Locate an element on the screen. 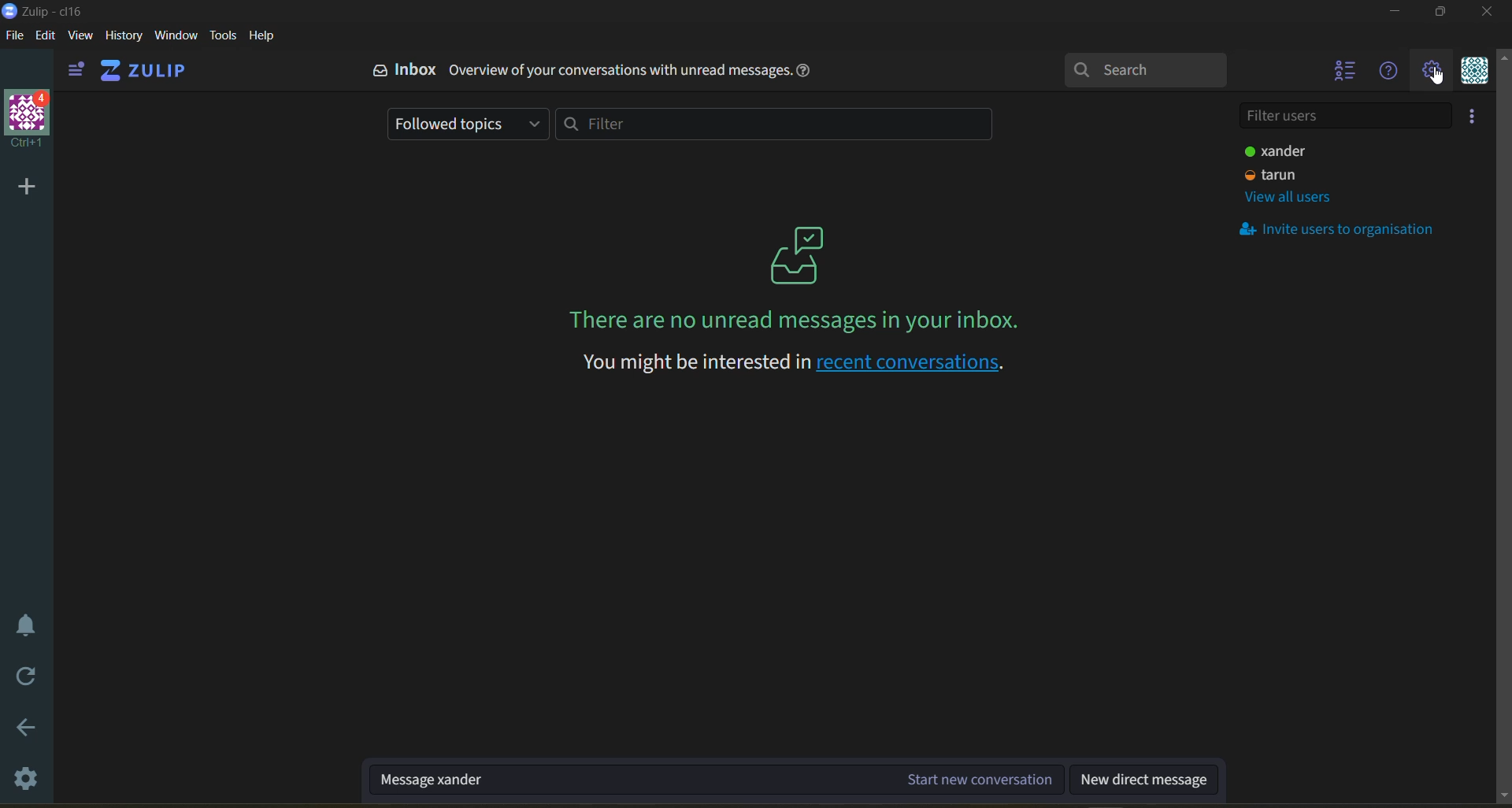 The image size is (1512, 808). main menu is located at coordinates (1431, 70).